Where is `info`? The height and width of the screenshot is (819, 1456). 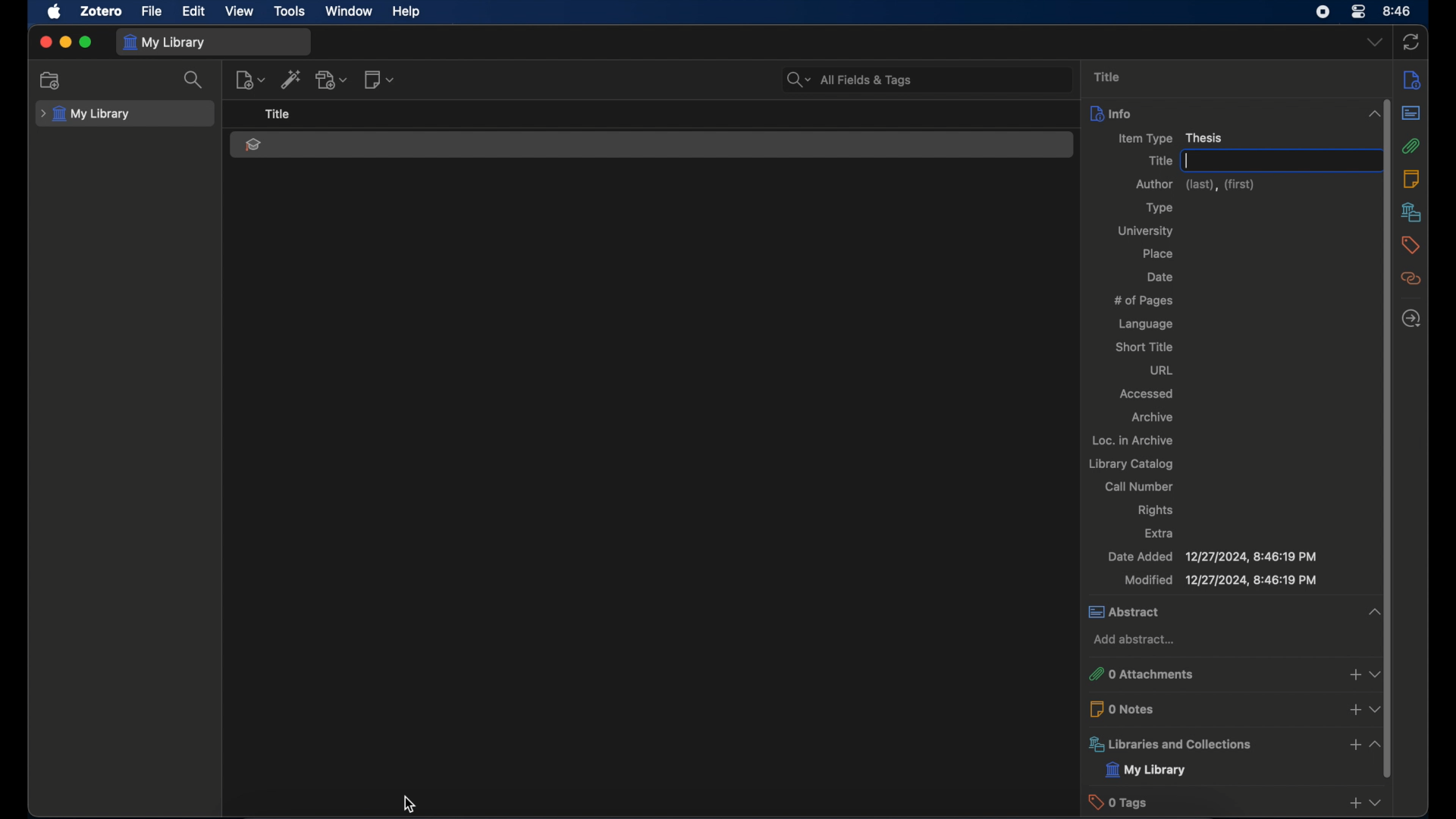 info is located at coordinates (1216, 111).